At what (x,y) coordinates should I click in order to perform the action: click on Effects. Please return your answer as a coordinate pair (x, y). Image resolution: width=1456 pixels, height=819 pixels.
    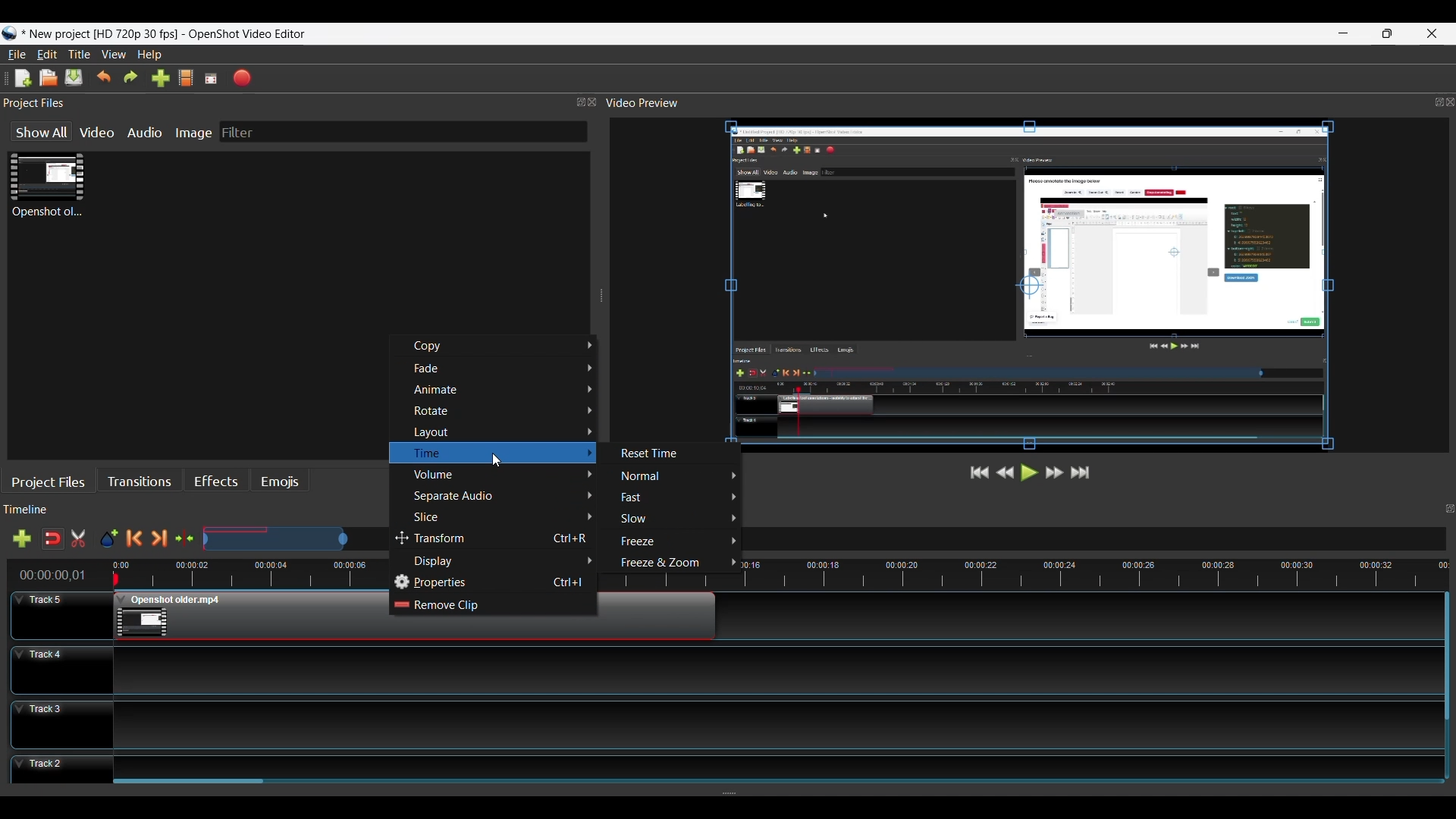
    Looking at the image, I should click on (216, 482).